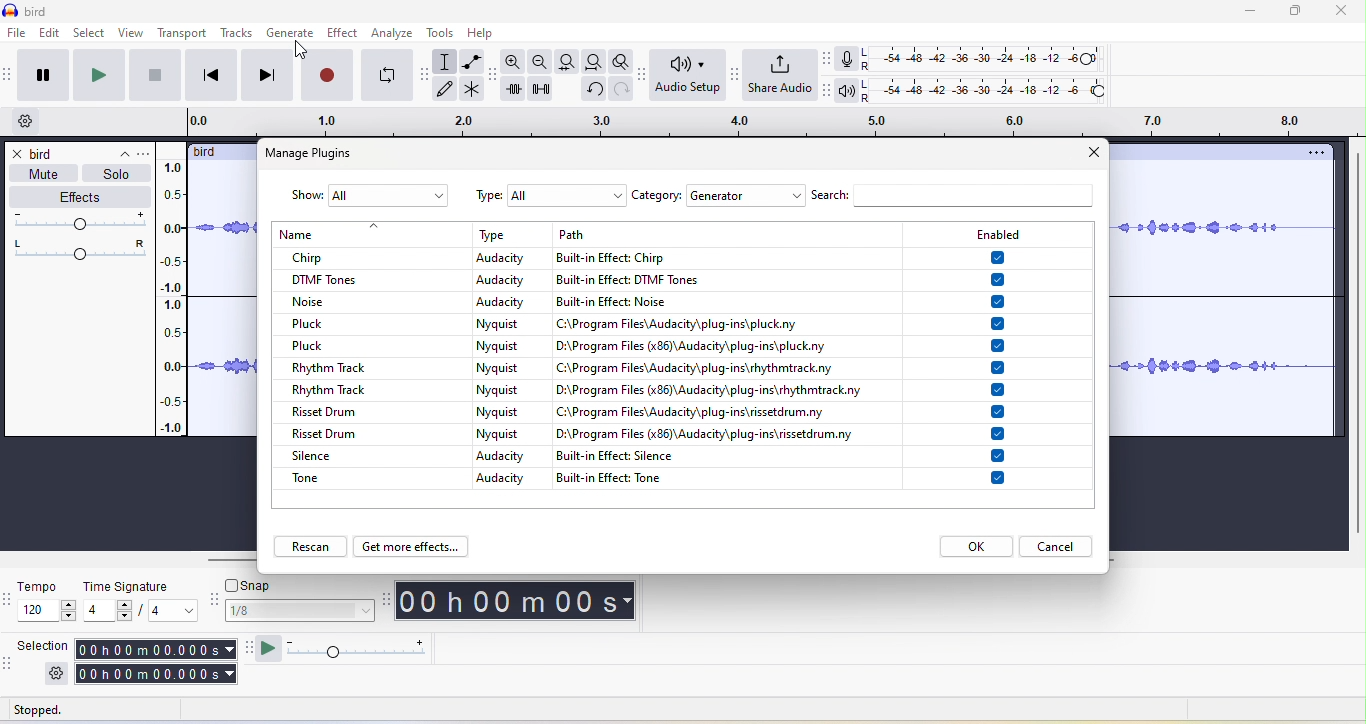  What do you see at coordinates (140, 599) in the screenshot?
I see `time signature` at bounding box center [140, 599].